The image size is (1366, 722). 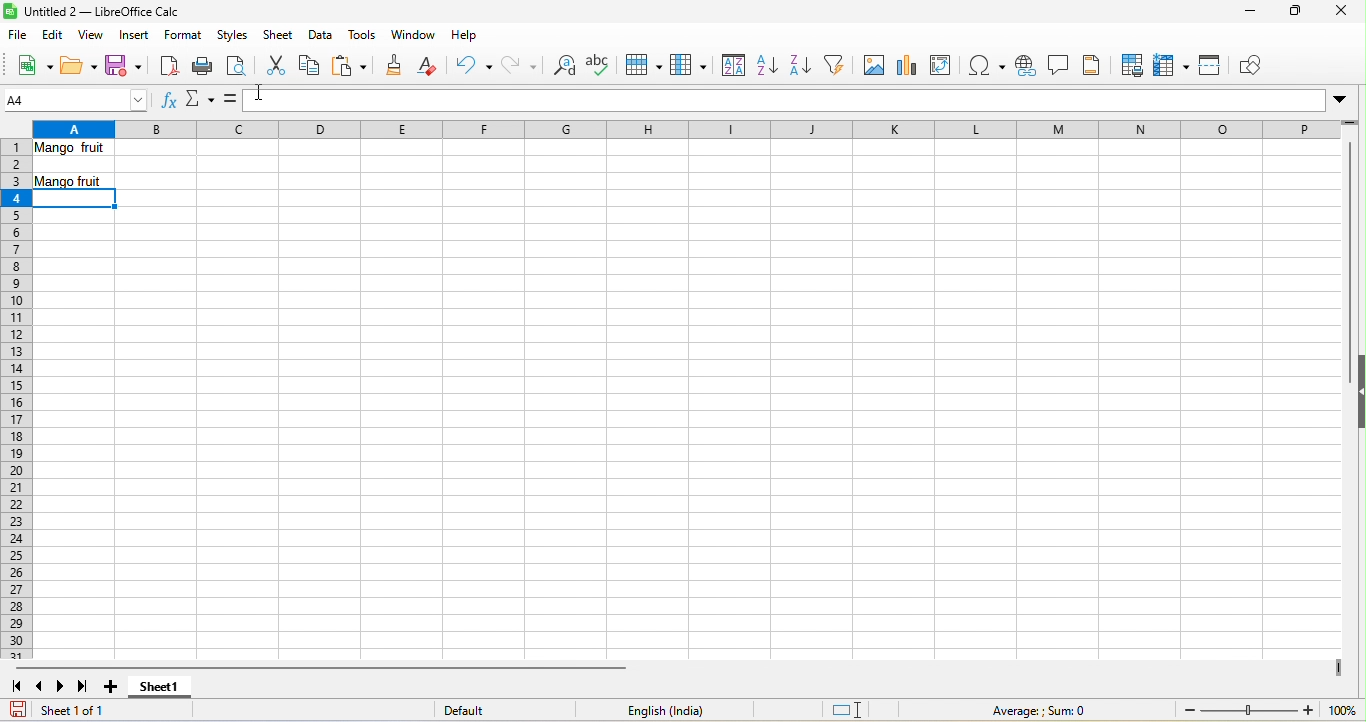 I want to click on standard selection, so click(x=853, y=709).